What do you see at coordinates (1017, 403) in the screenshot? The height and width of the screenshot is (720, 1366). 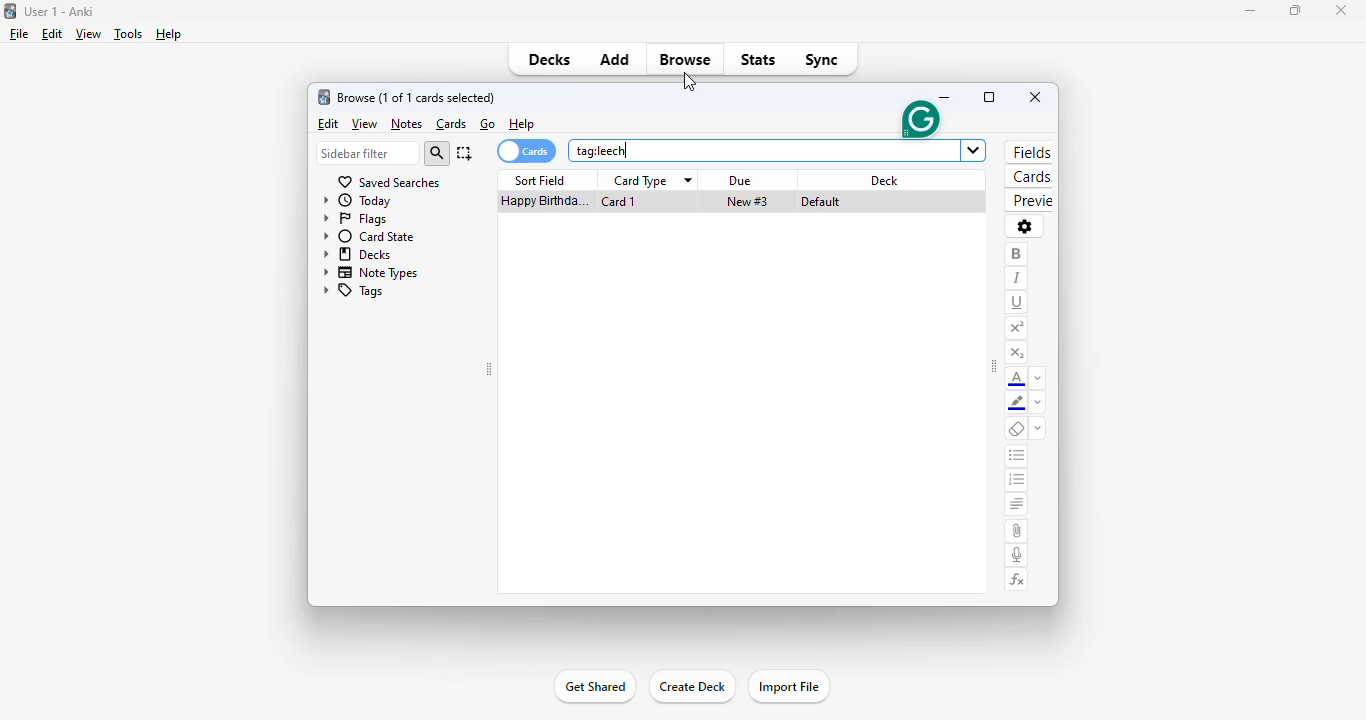 I see `text highlight color` at bounding box center [1017, 403].